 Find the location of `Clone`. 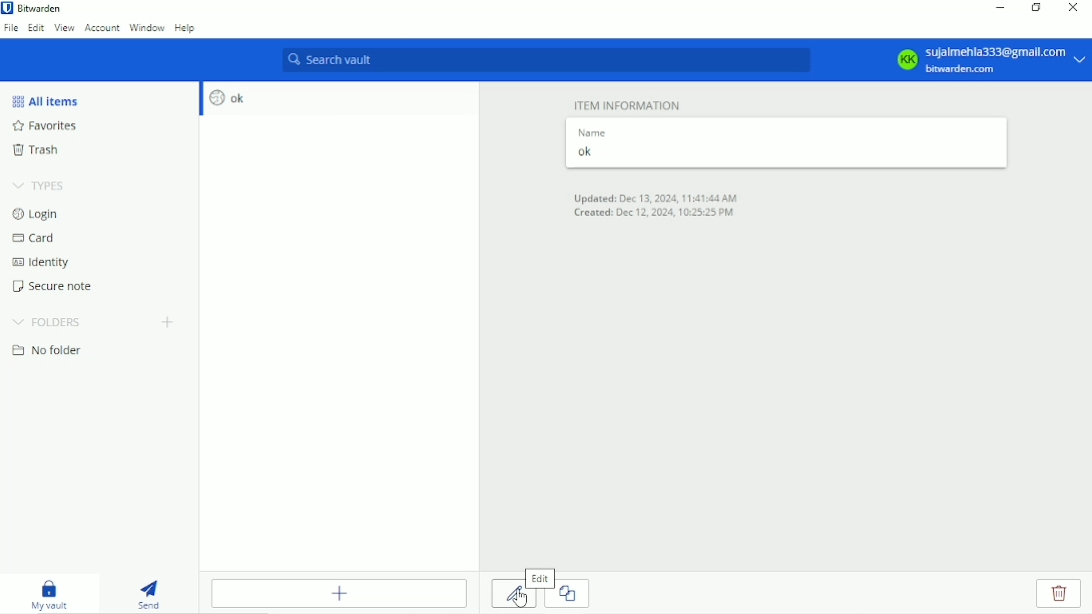

Clone is located at coordinates (575, 593).